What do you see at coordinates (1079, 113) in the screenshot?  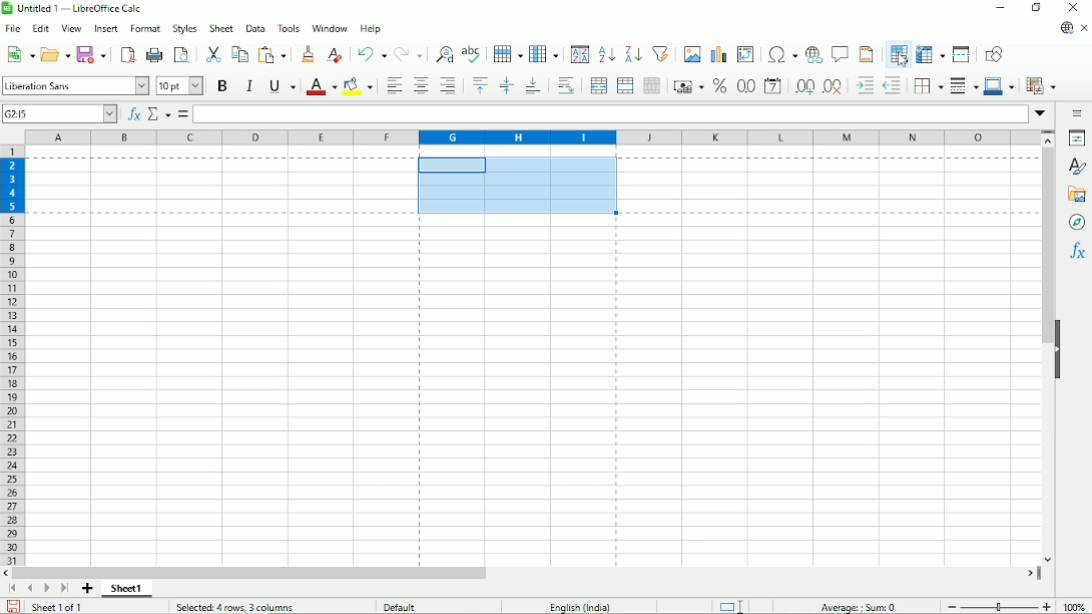 I see `Sidebar settings` at bounding box center [1079, 113].